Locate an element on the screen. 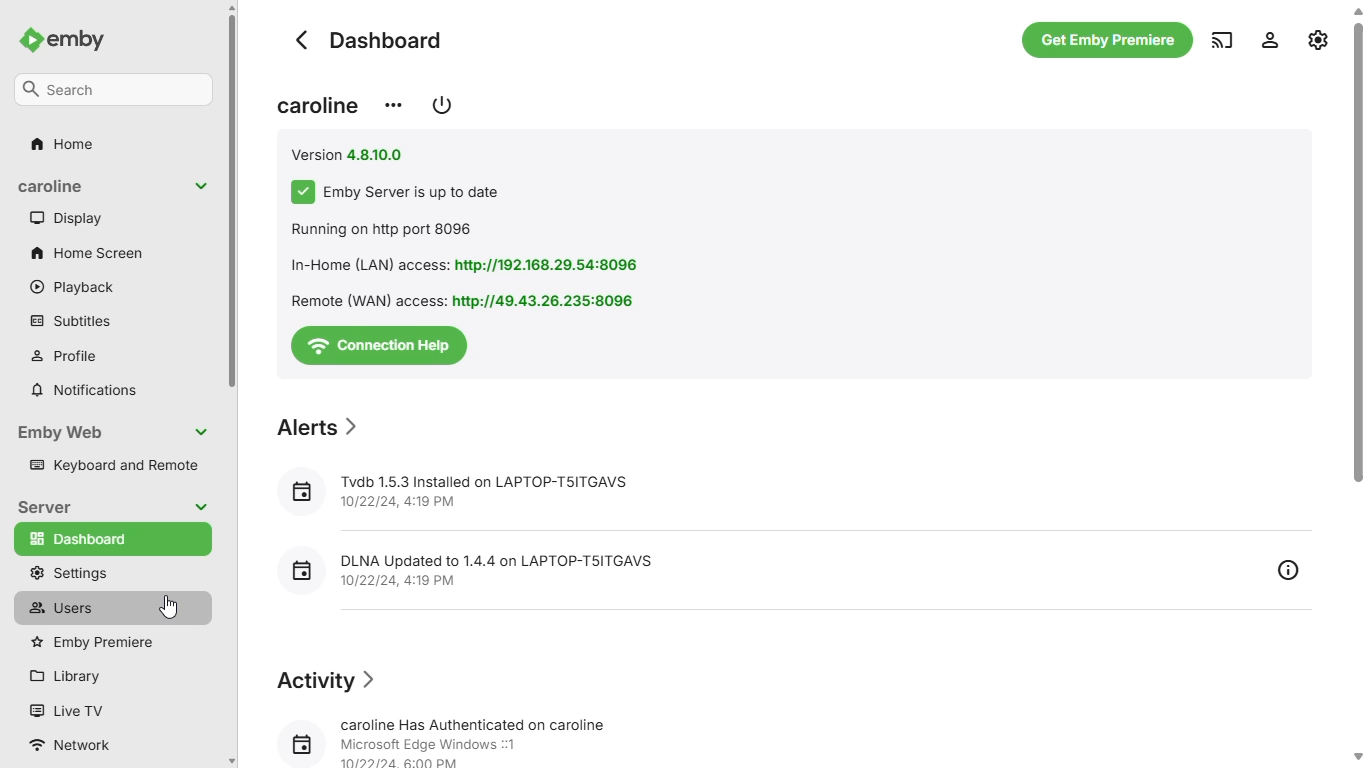 This screenshot has width=1366, height=768. Microsoft Edge Windows 1 is located at coordinates (431, 744).